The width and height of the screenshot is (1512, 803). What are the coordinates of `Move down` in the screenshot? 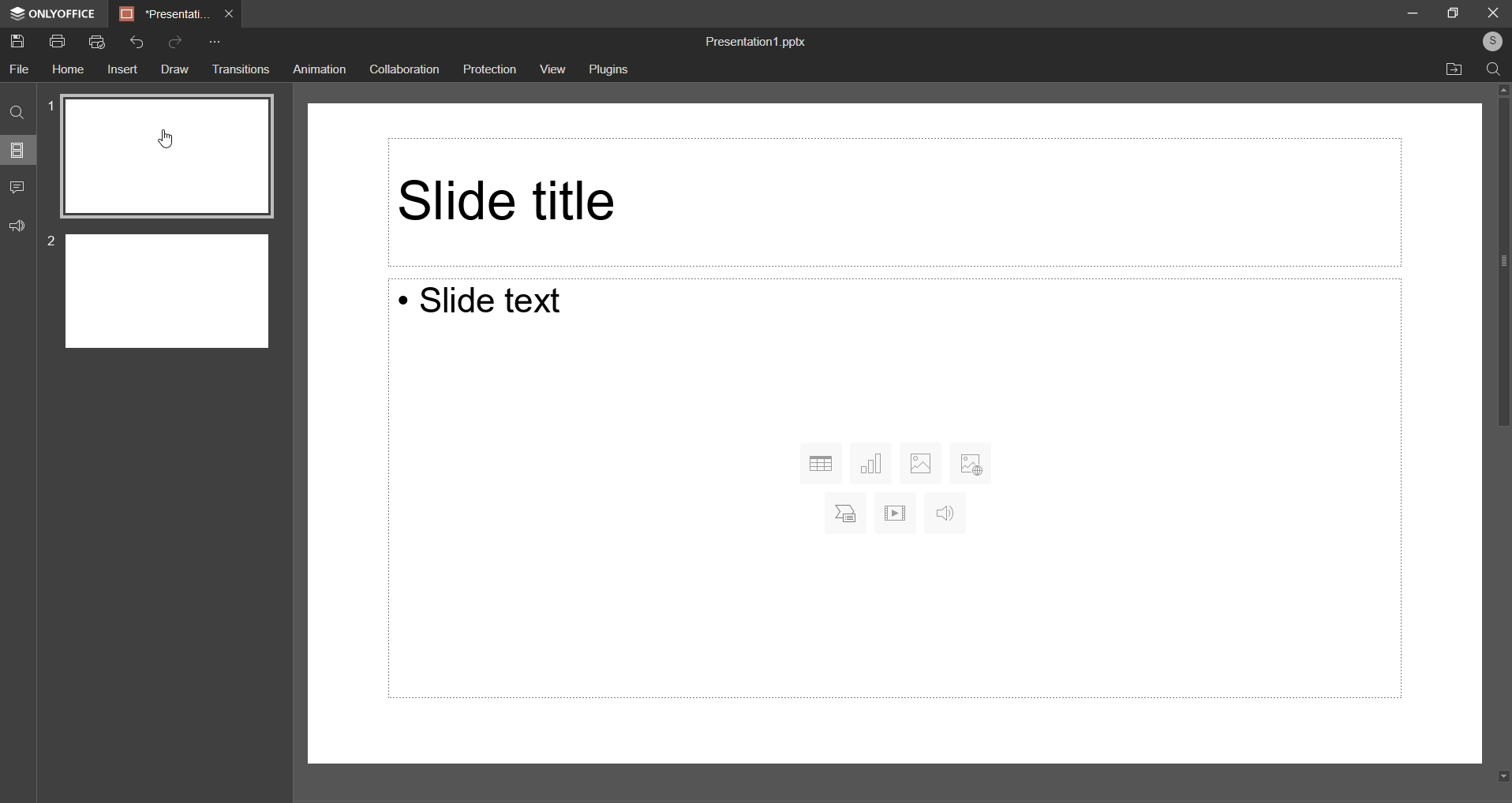 It's located at (1499, 777).